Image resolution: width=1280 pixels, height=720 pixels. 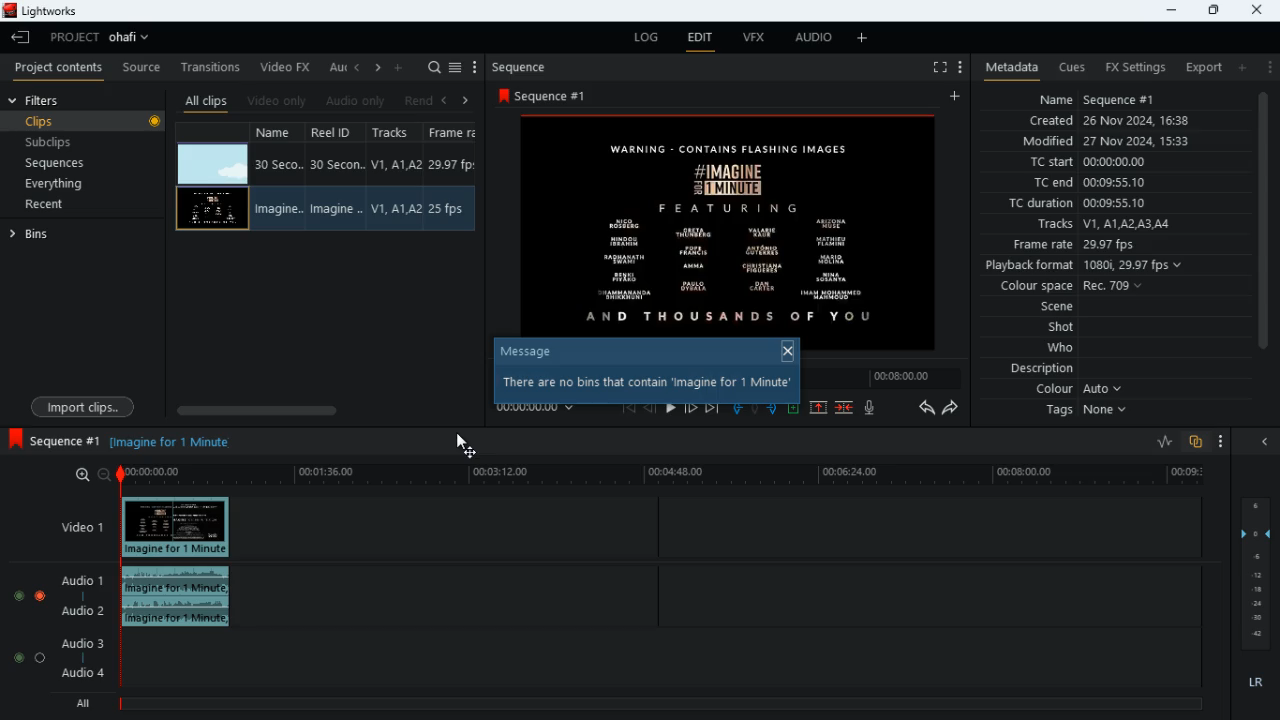 I want to click on Name, so click(x=278, y=164).